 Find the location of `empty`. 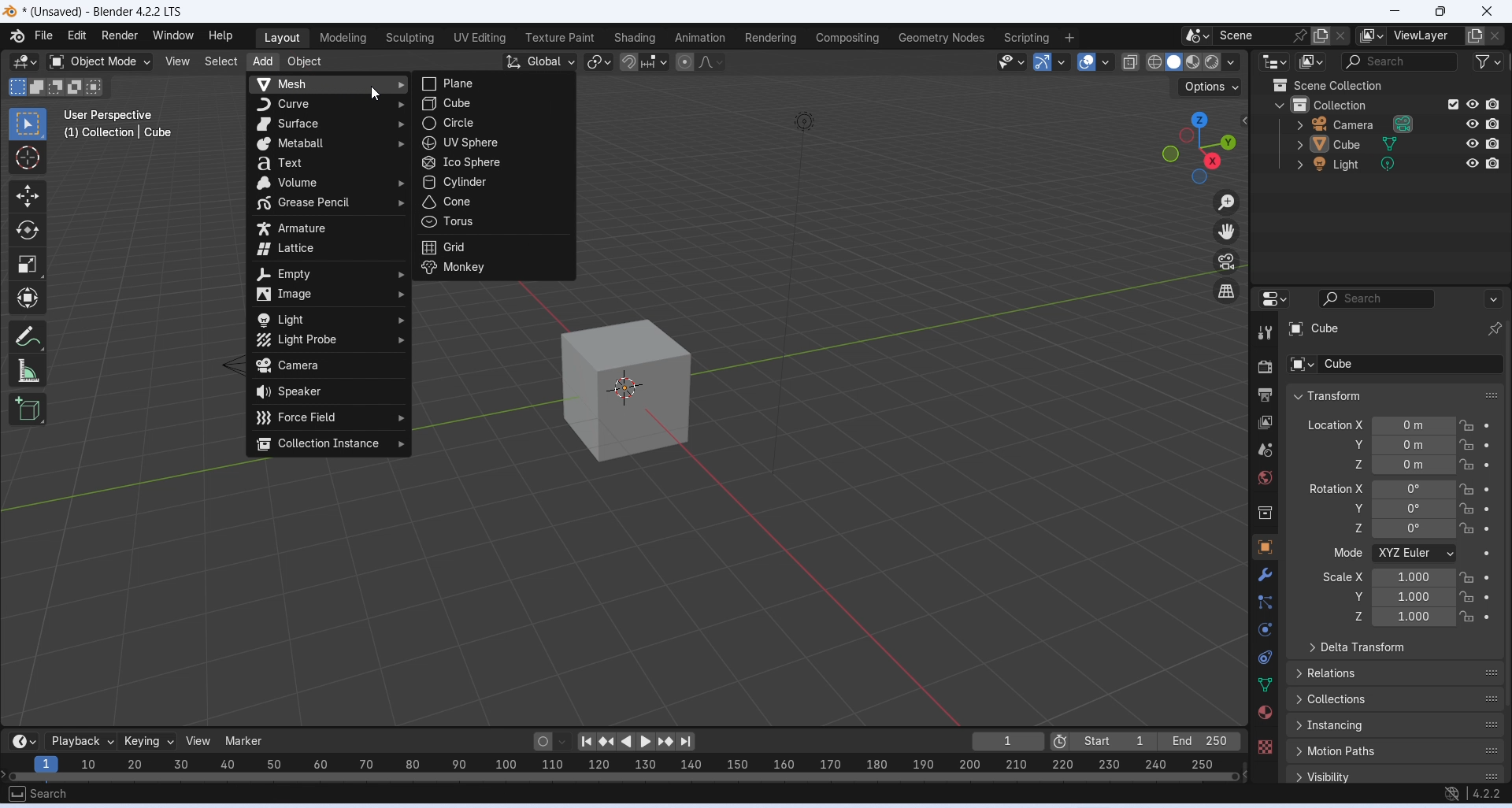

empty is located at coordinates (328, 274).